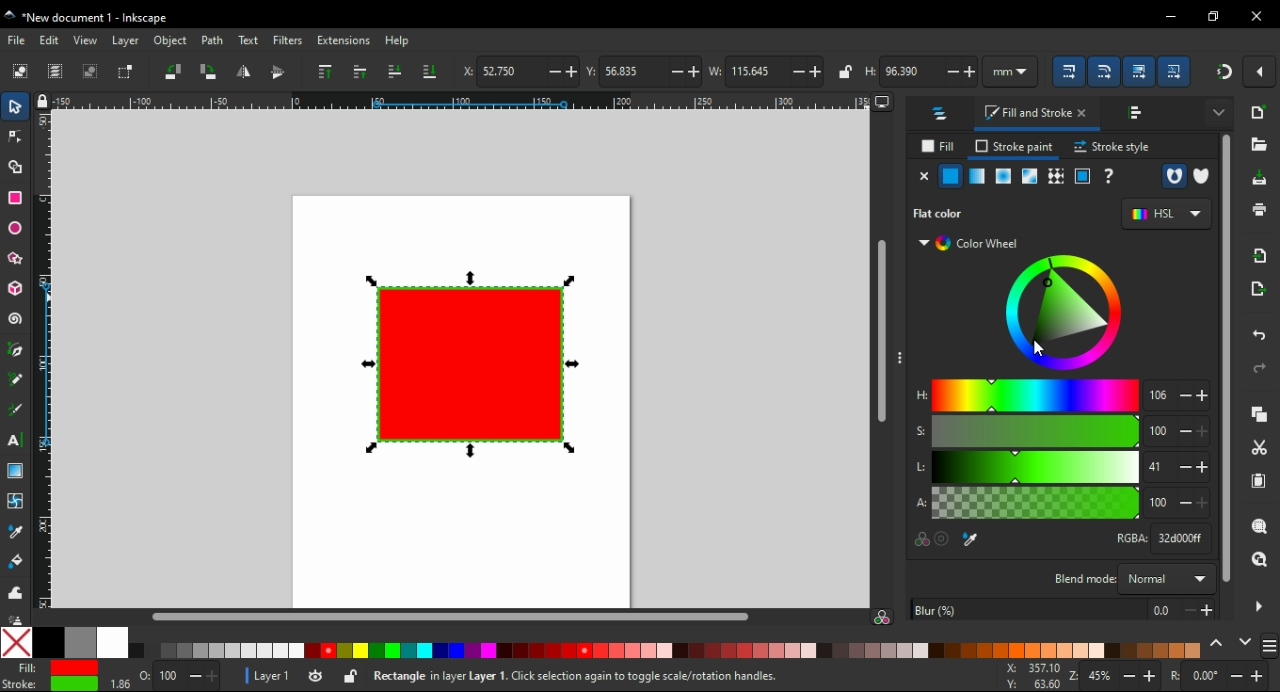  I want to click on view, so click(84, 40).